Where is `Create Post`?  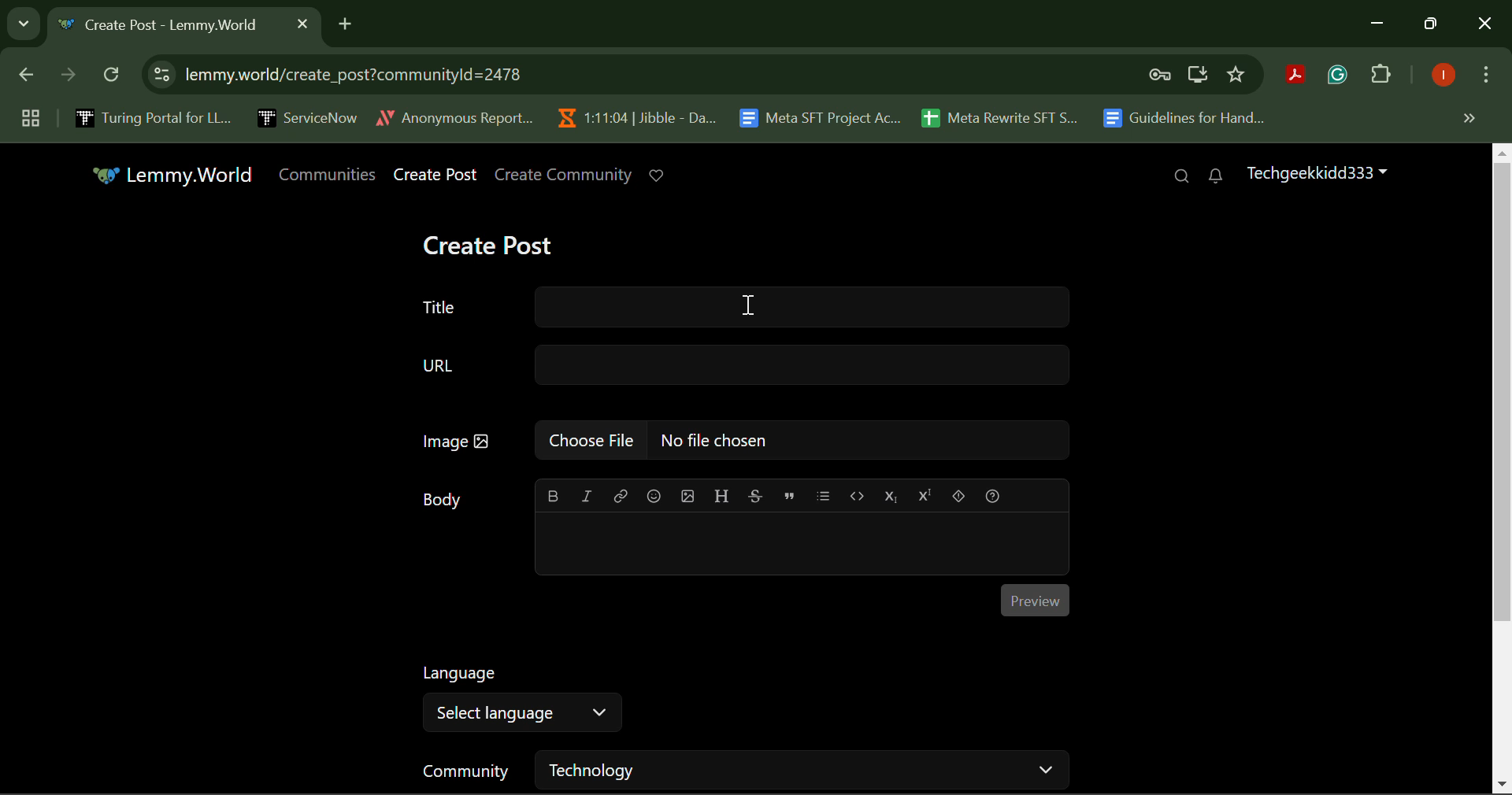 Create Post is located at coordinates (436, 176).